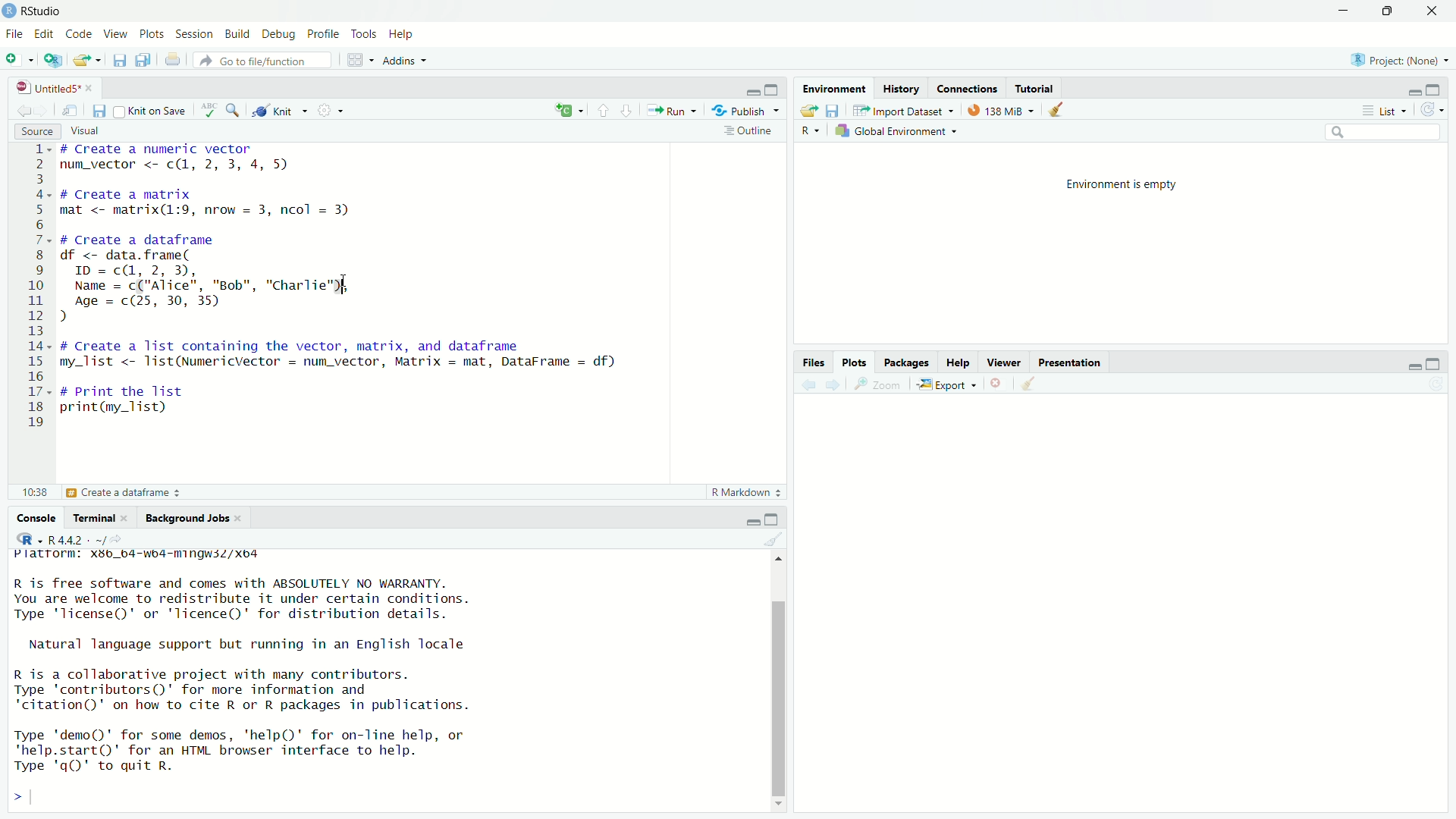 The height and width of the screenshot is (819, 1456). Describe the element at coordinates (148, 110) in the screenshot. I see `Knit on Save` at that location.